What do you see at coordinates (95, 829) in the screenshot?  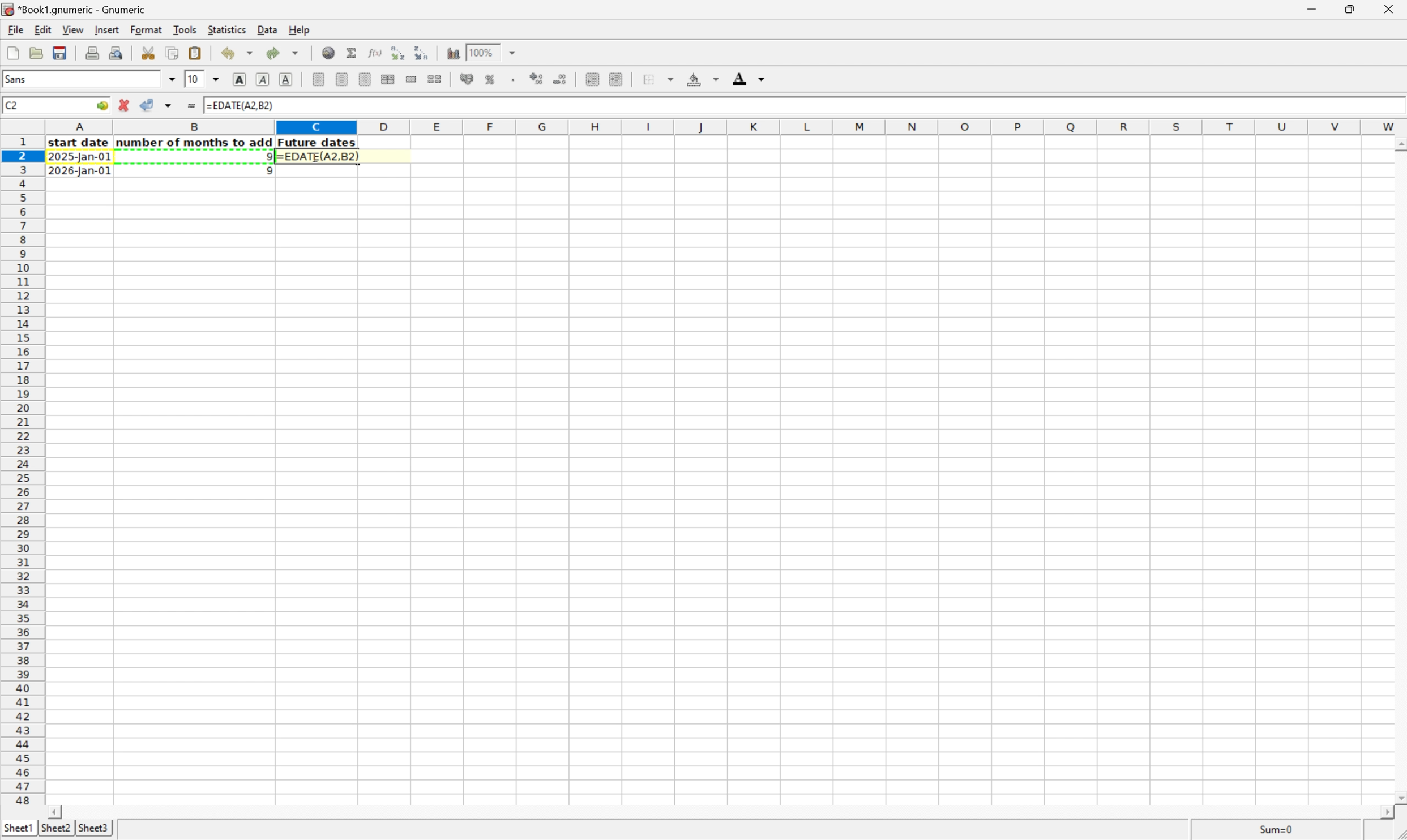 I see `Sheet3` at bounding box center [95, 829].